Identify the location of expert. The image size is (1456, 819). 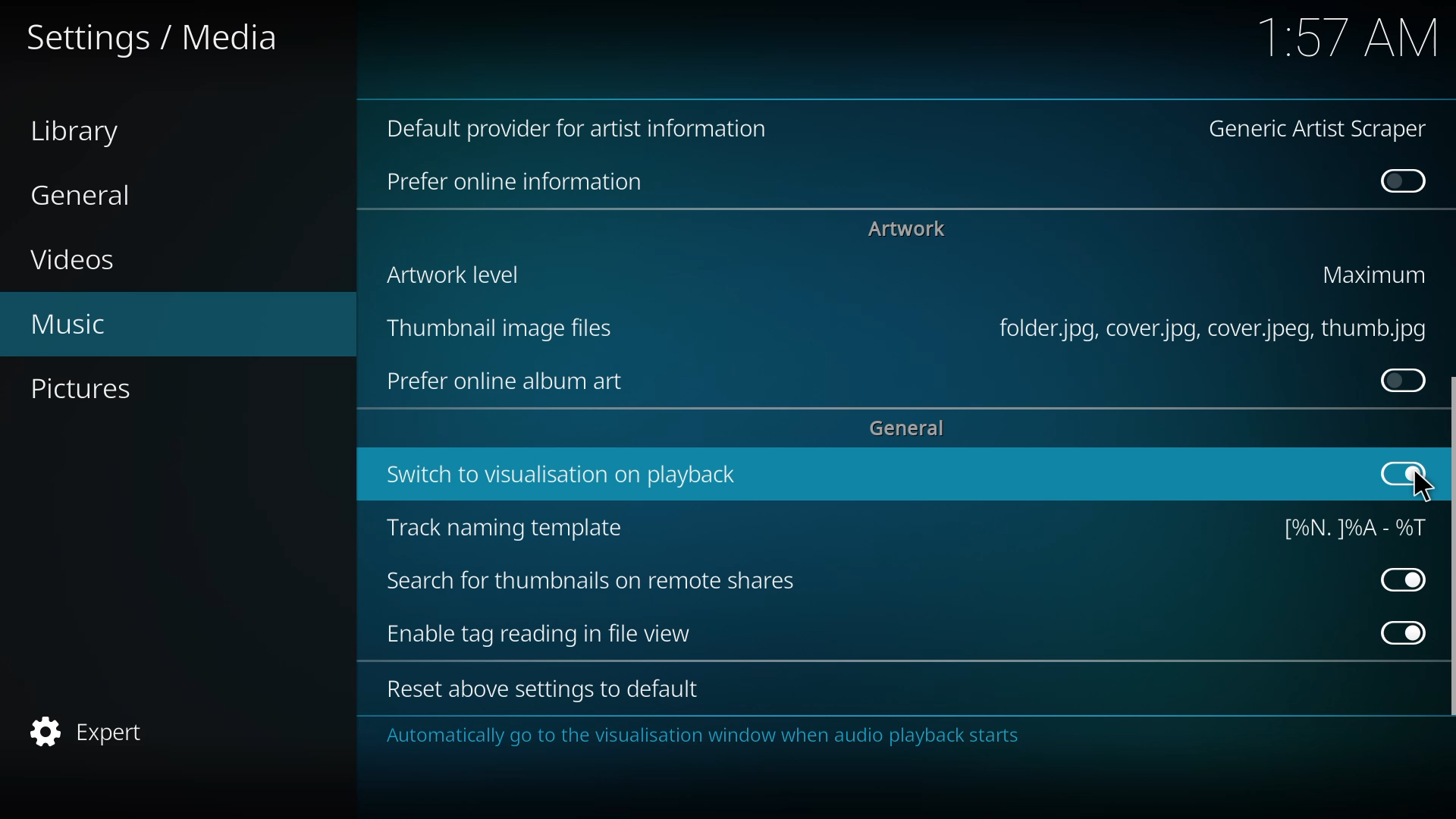
(93, 730).